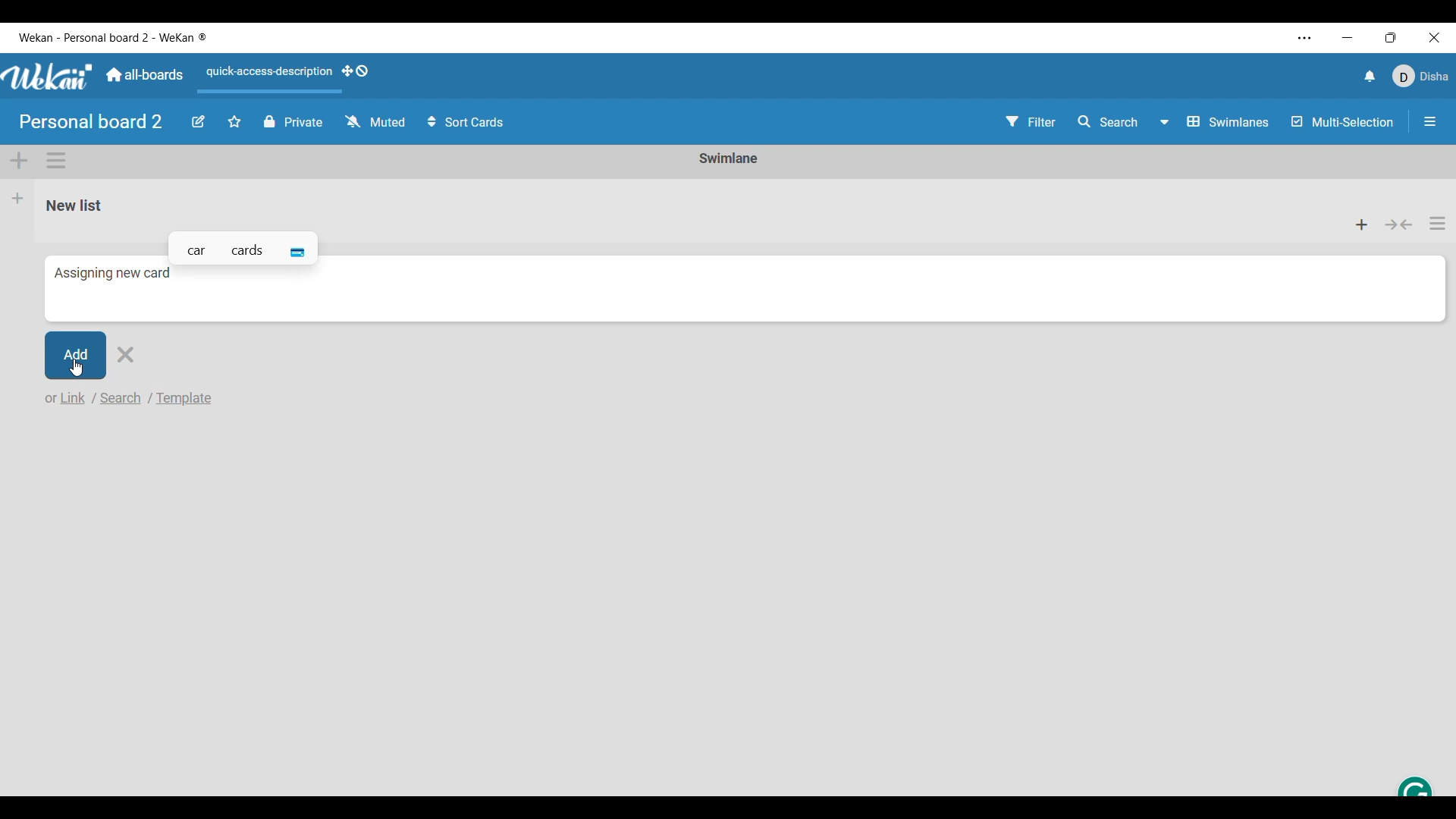 The width and height of the screenshot is (1456, 819). What do you see at coordinates (1399, 224) in the screenshot?
I see `Collapse` at bounding box center [1399, 224].